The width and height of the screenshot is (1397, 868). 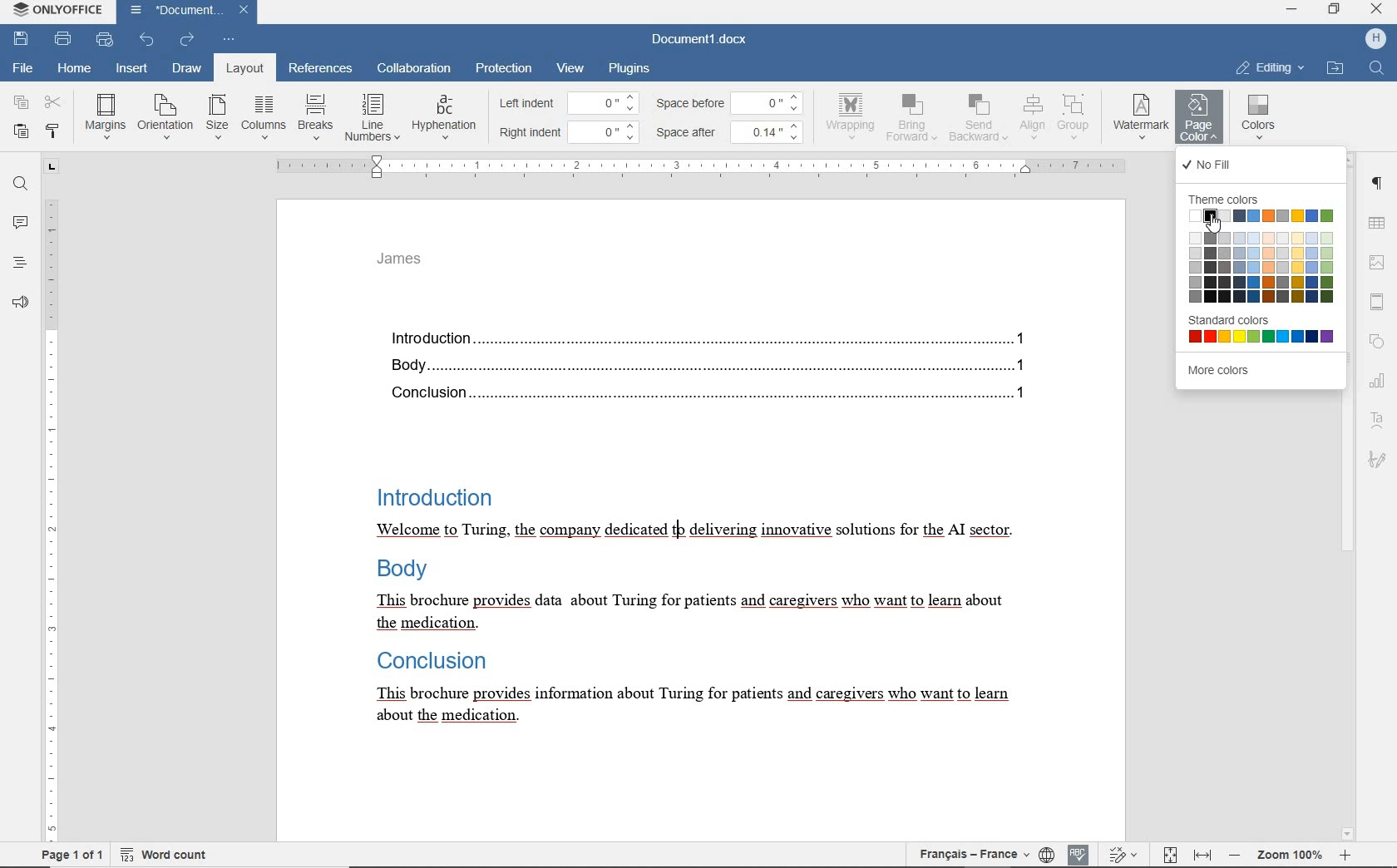 I want to click on right indent, so click(x=528, y=132).